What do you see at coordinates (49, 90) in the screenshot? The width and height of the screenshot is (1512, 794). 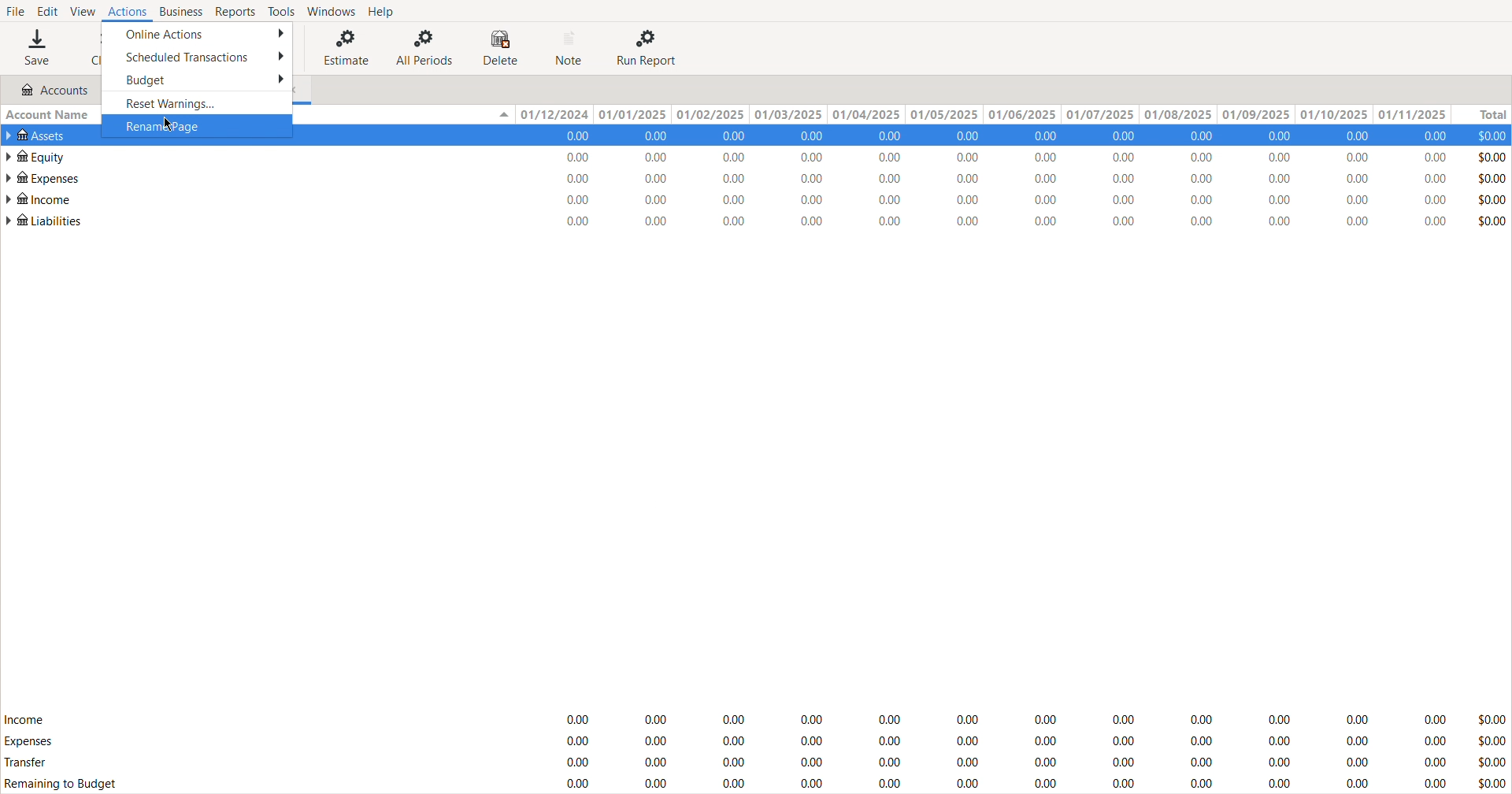 I see `Accounts` at bounding box center [49, 90].